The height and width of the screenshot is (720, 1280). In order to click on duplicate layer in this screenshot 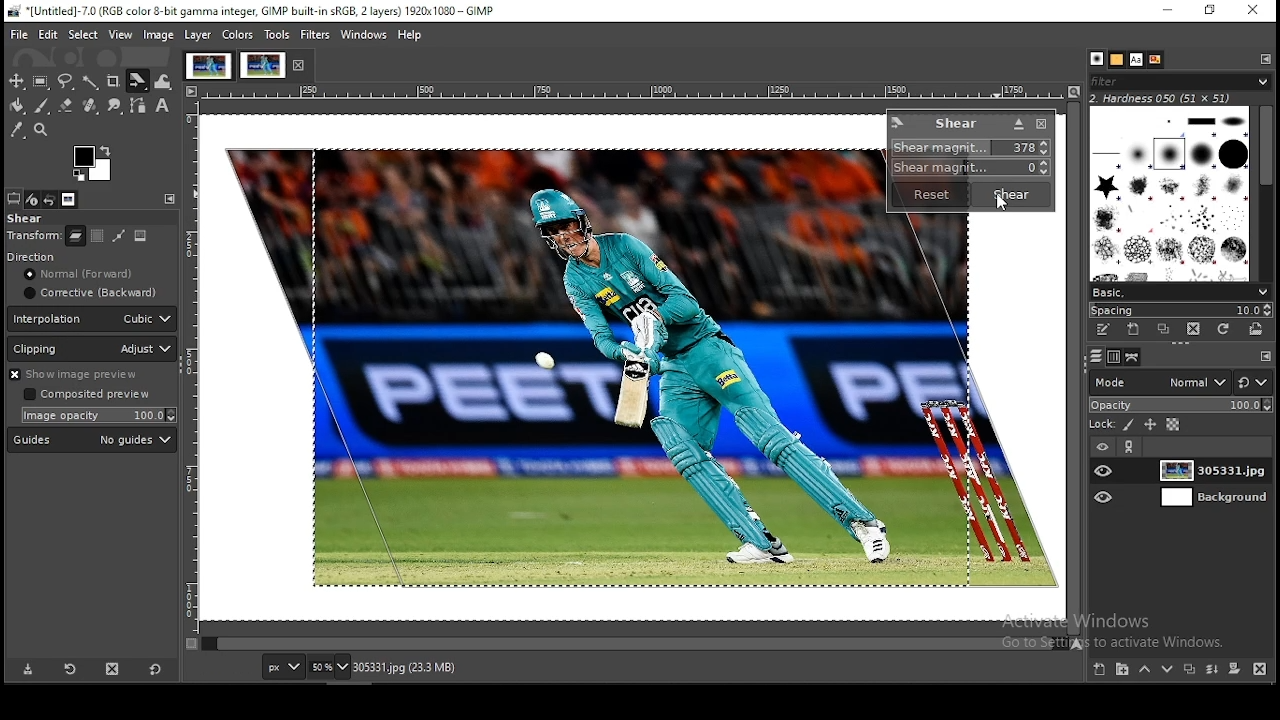, I will do `click(1189, 669)`.